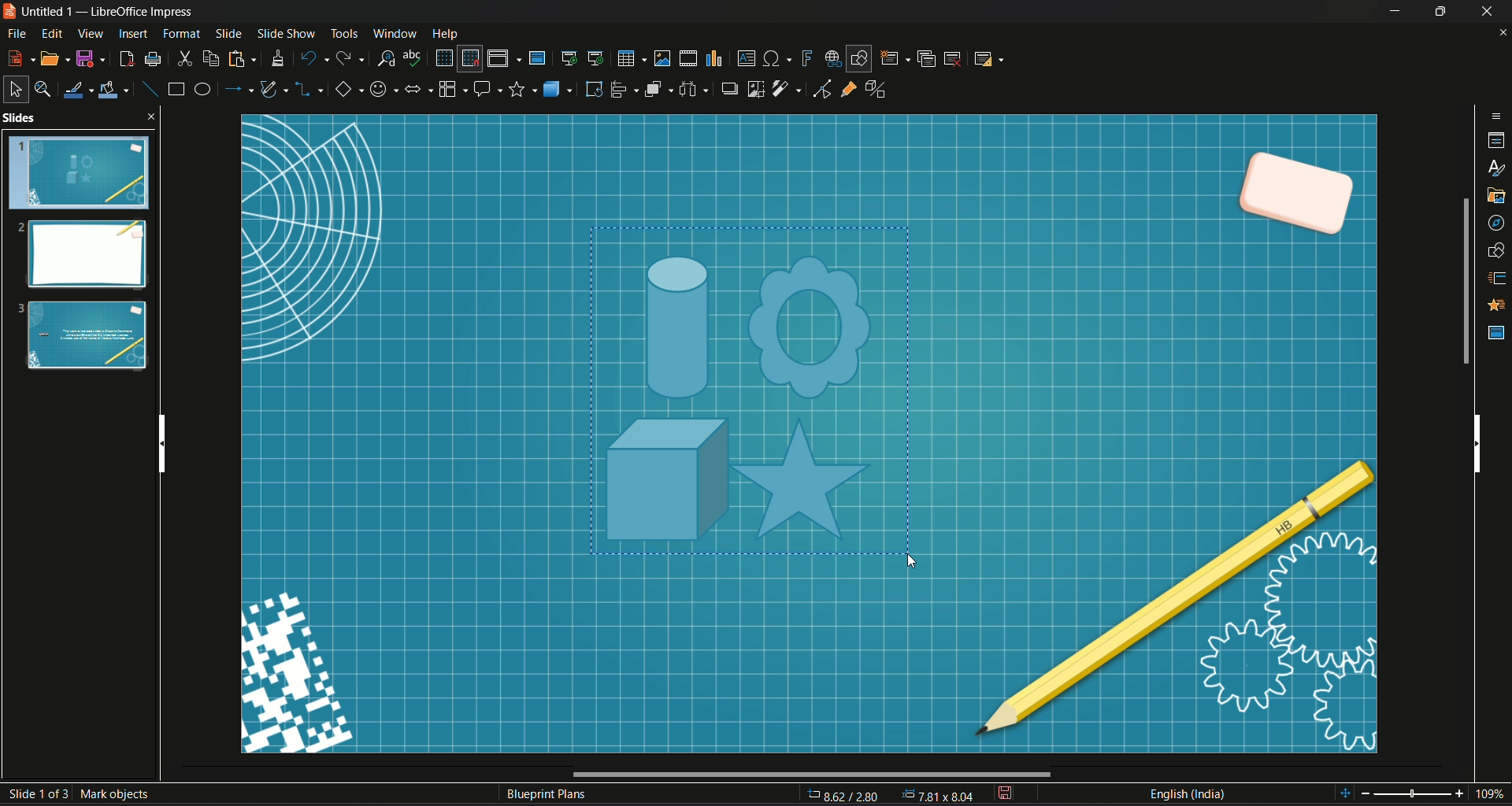 This screenshot has height=806, width=1512. What do you see at coordinates (832, 58) in the screenshot?
I see `insert hyperlink` at bounding box center [832, 58].